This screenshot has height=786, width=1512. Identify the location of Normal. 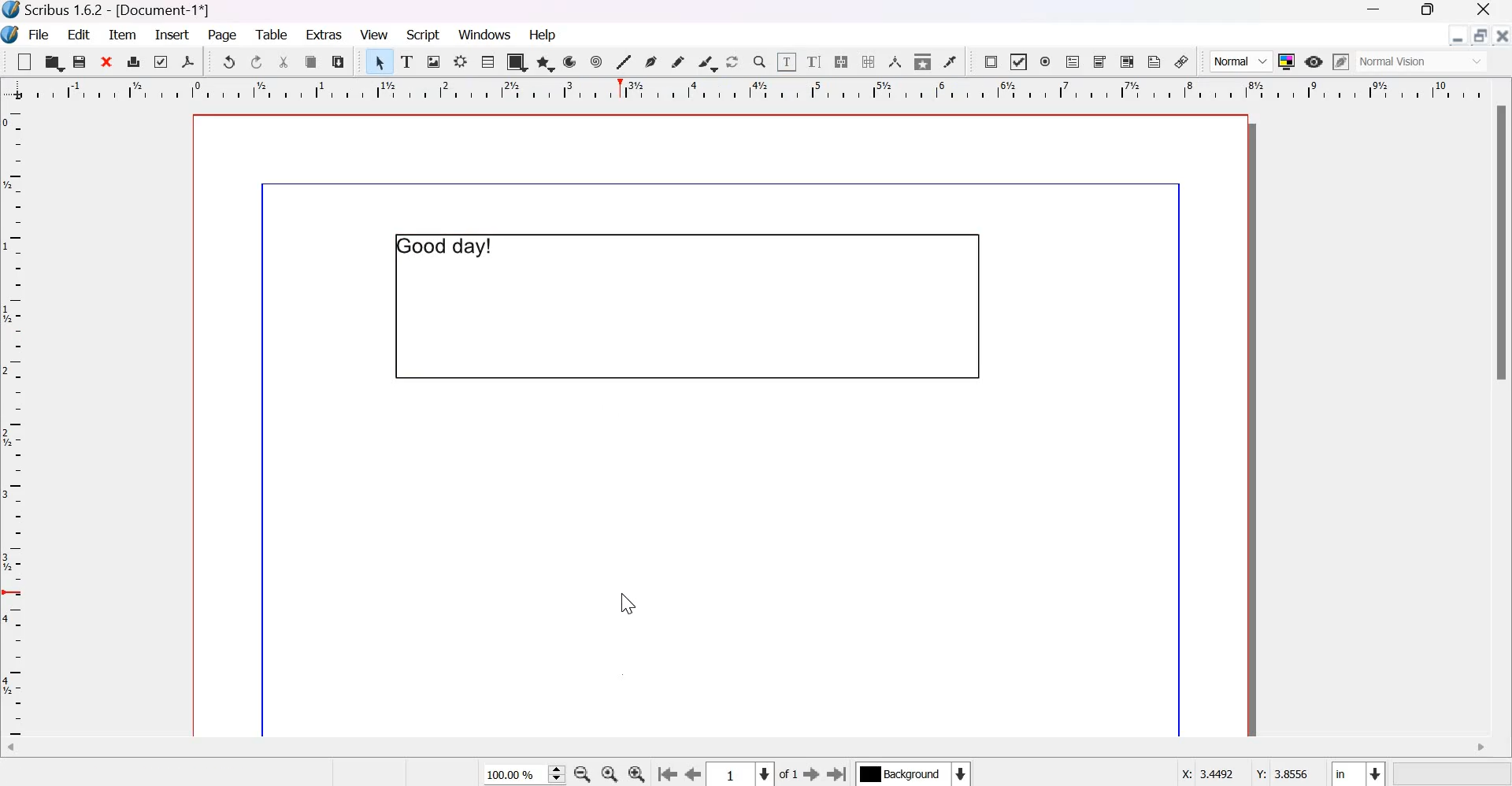
(1241, 61).